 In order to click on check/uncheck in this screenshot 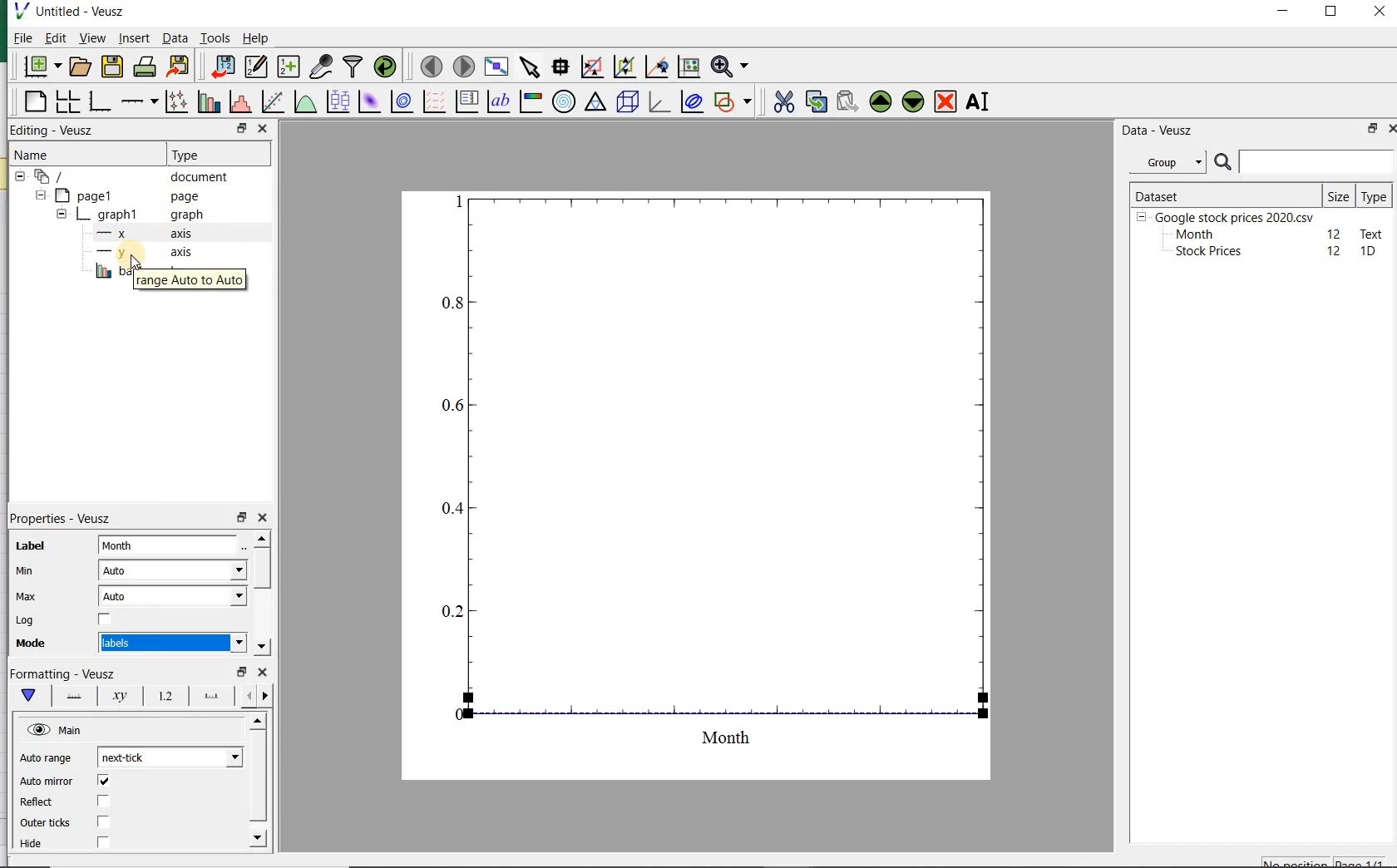, I will do `click(103, 821)`.